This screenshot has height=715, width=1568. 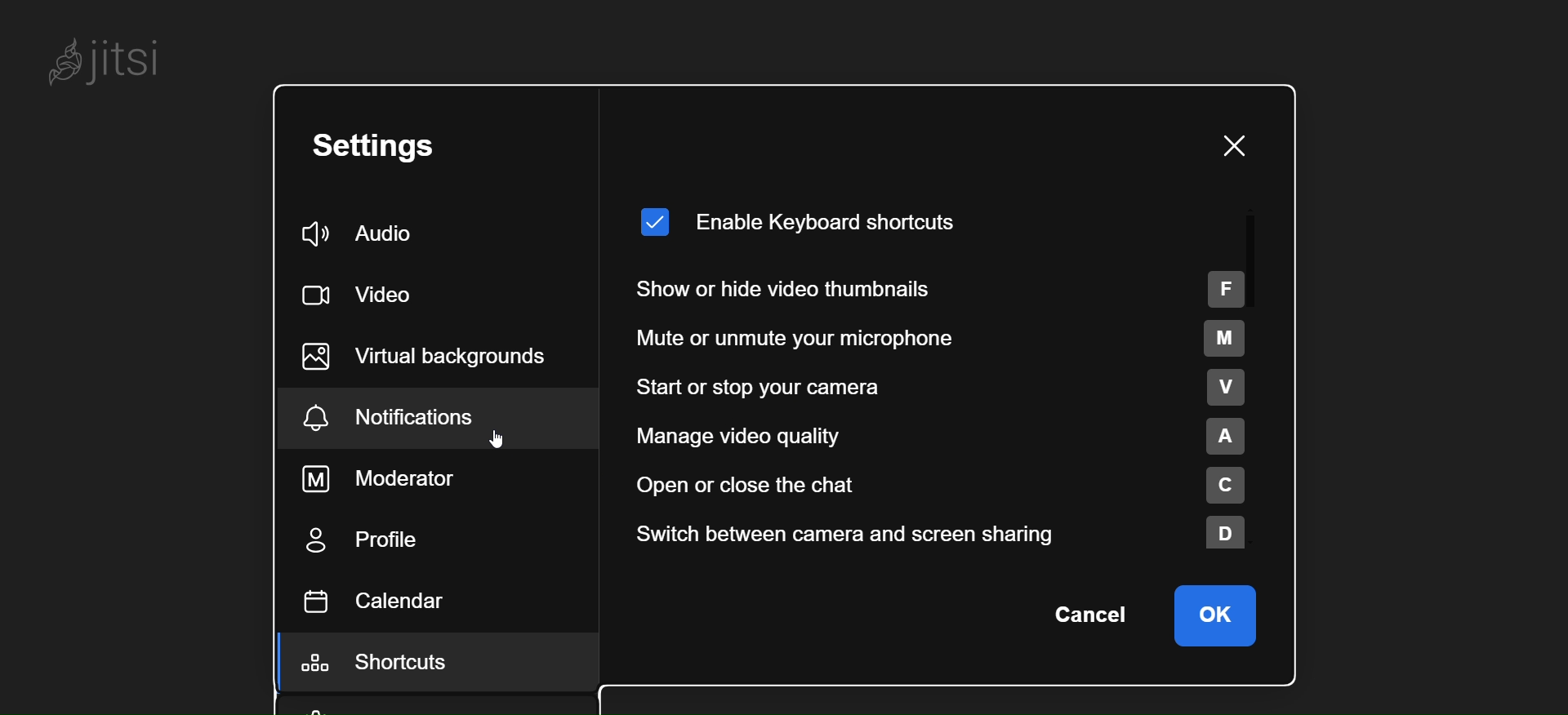 I want to click on audio, so click(x=363, y=230).